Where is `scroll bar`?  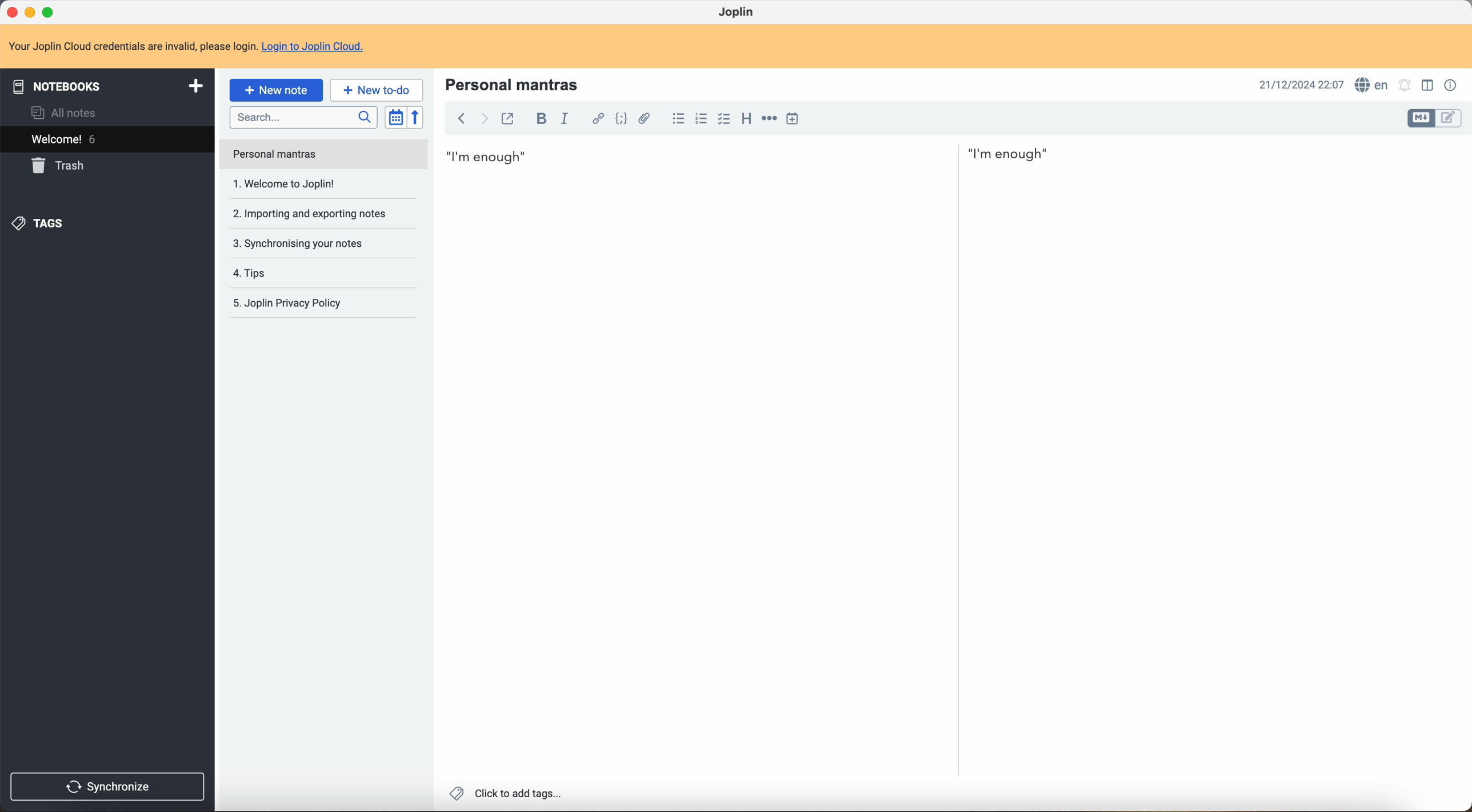
scroll bar is located at coordinates (956, 363).